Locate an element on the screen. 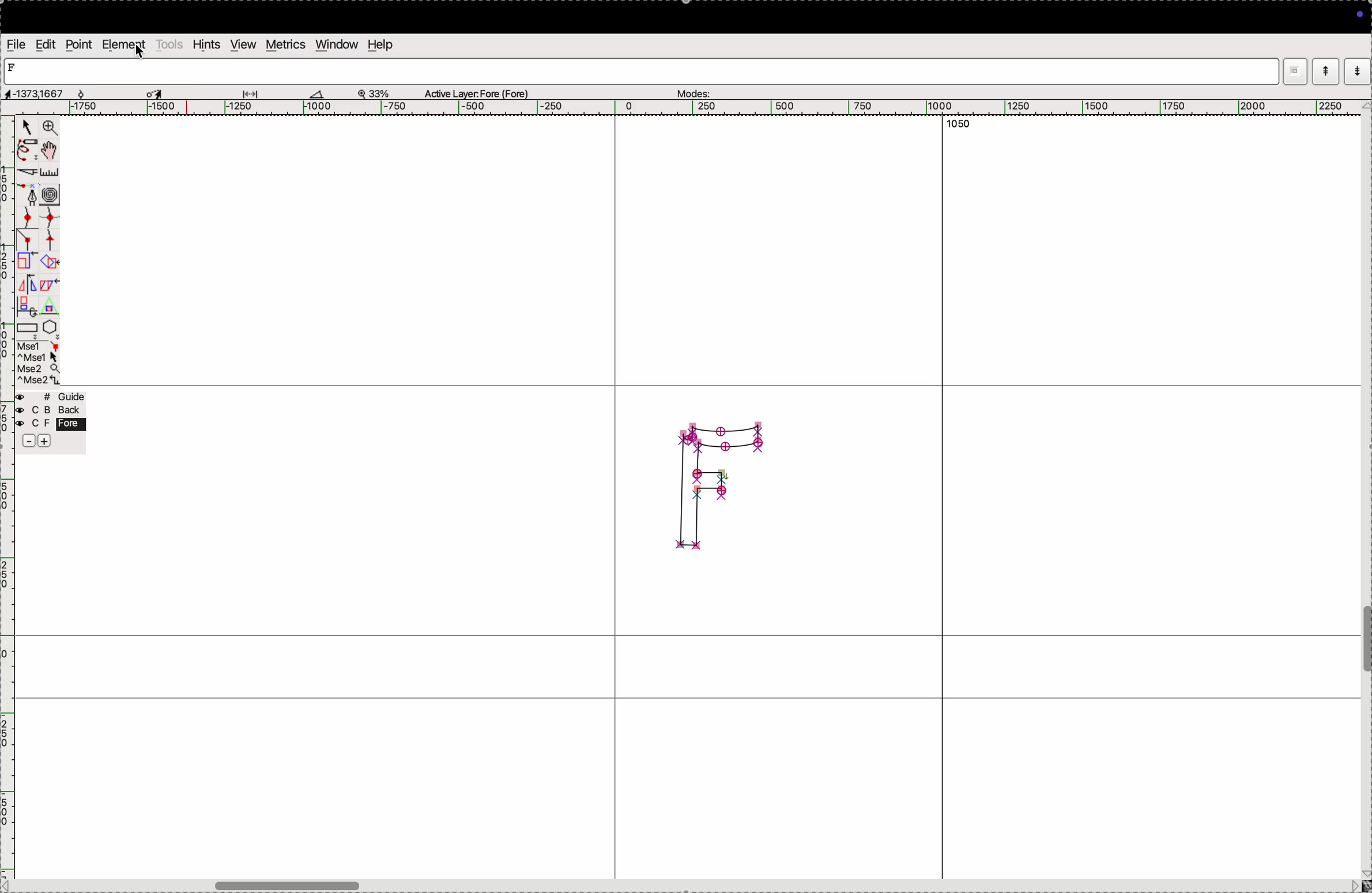 This screenshot has height=893, width=1372. toggle is located at coordinates (51, 150).